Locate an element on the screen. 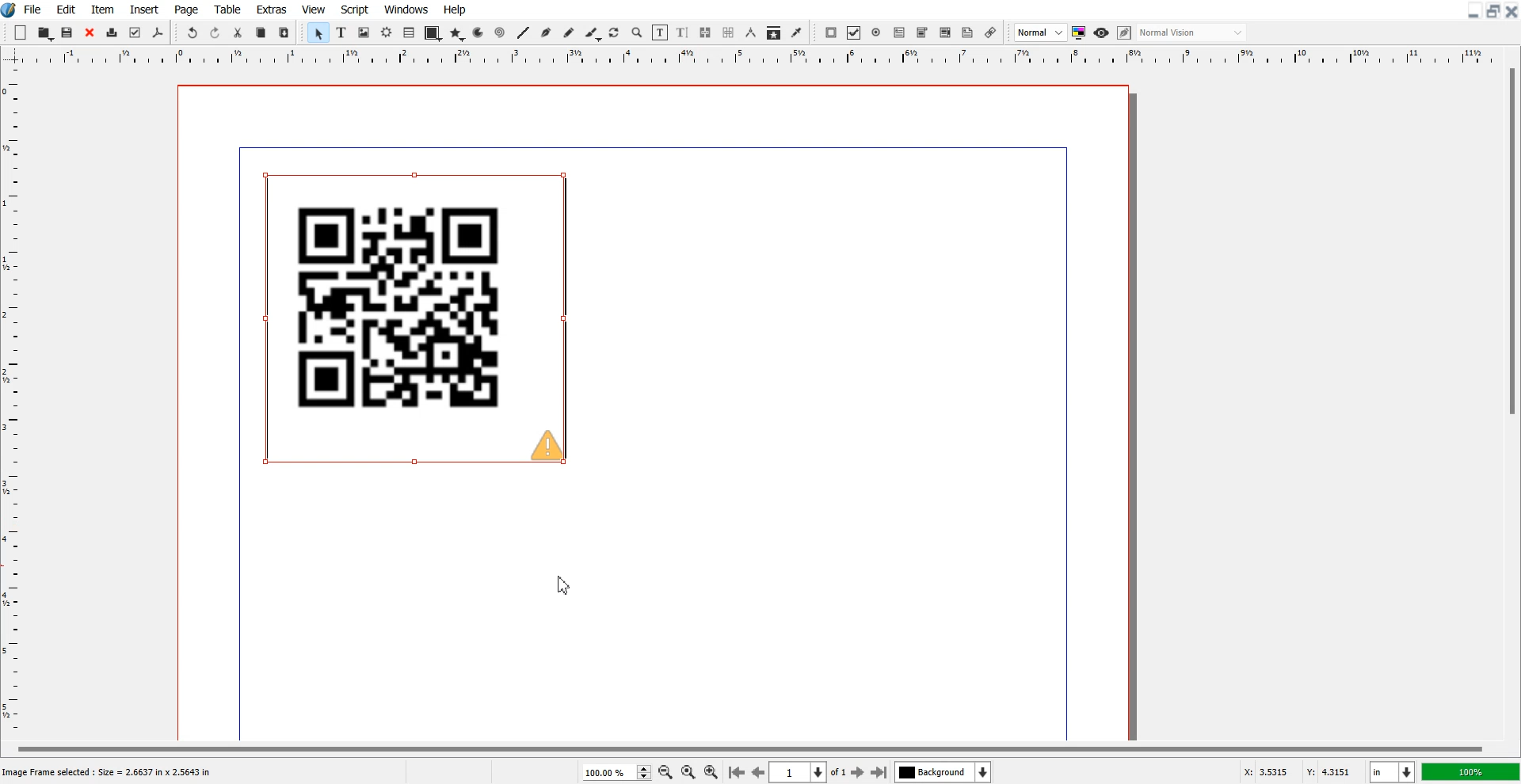 The image size is (1521, 784). Text Annotation is located at coordinates (968, 33).